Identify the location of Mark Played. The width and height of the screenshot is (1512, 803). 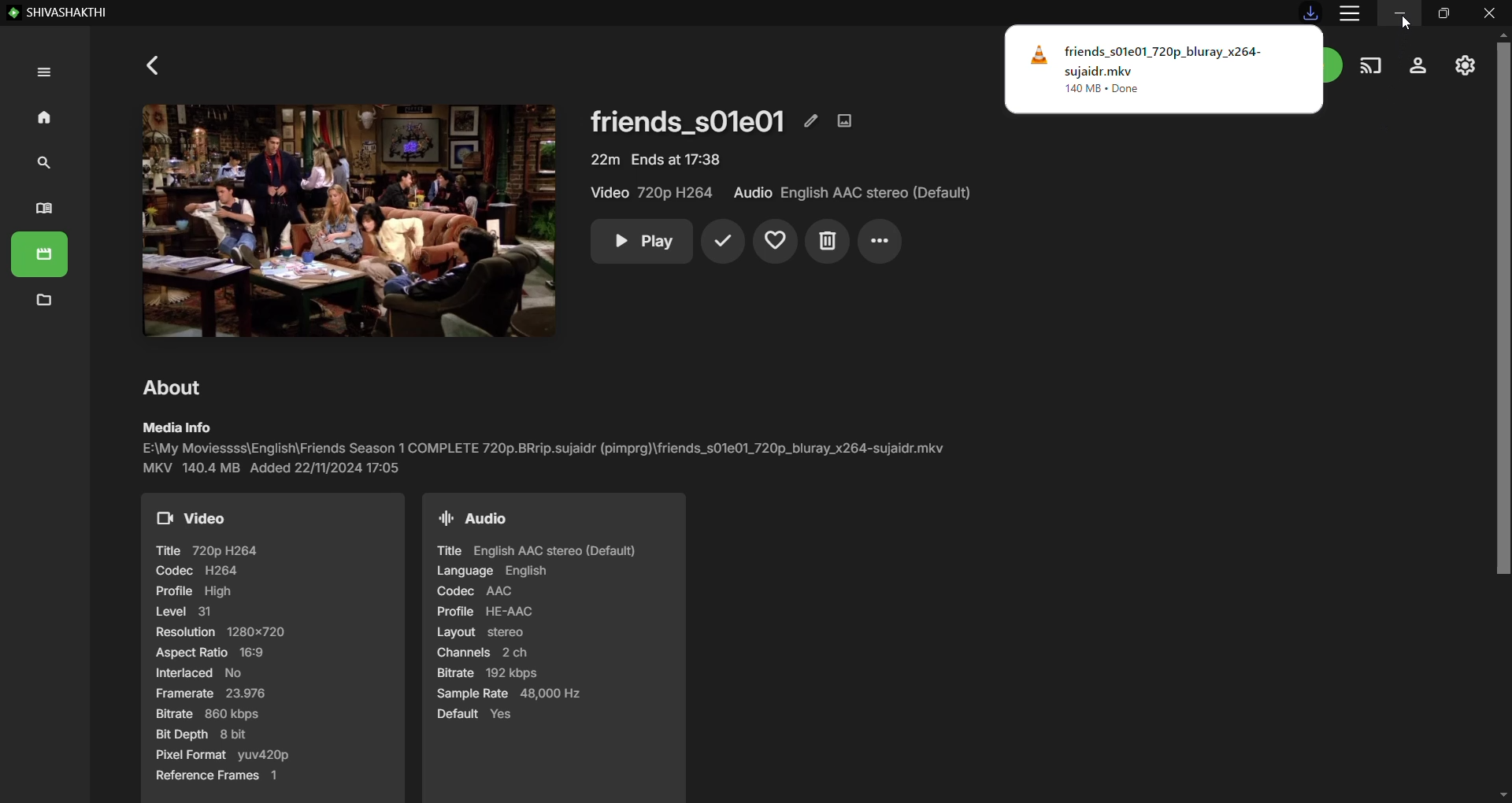
(722, 242).